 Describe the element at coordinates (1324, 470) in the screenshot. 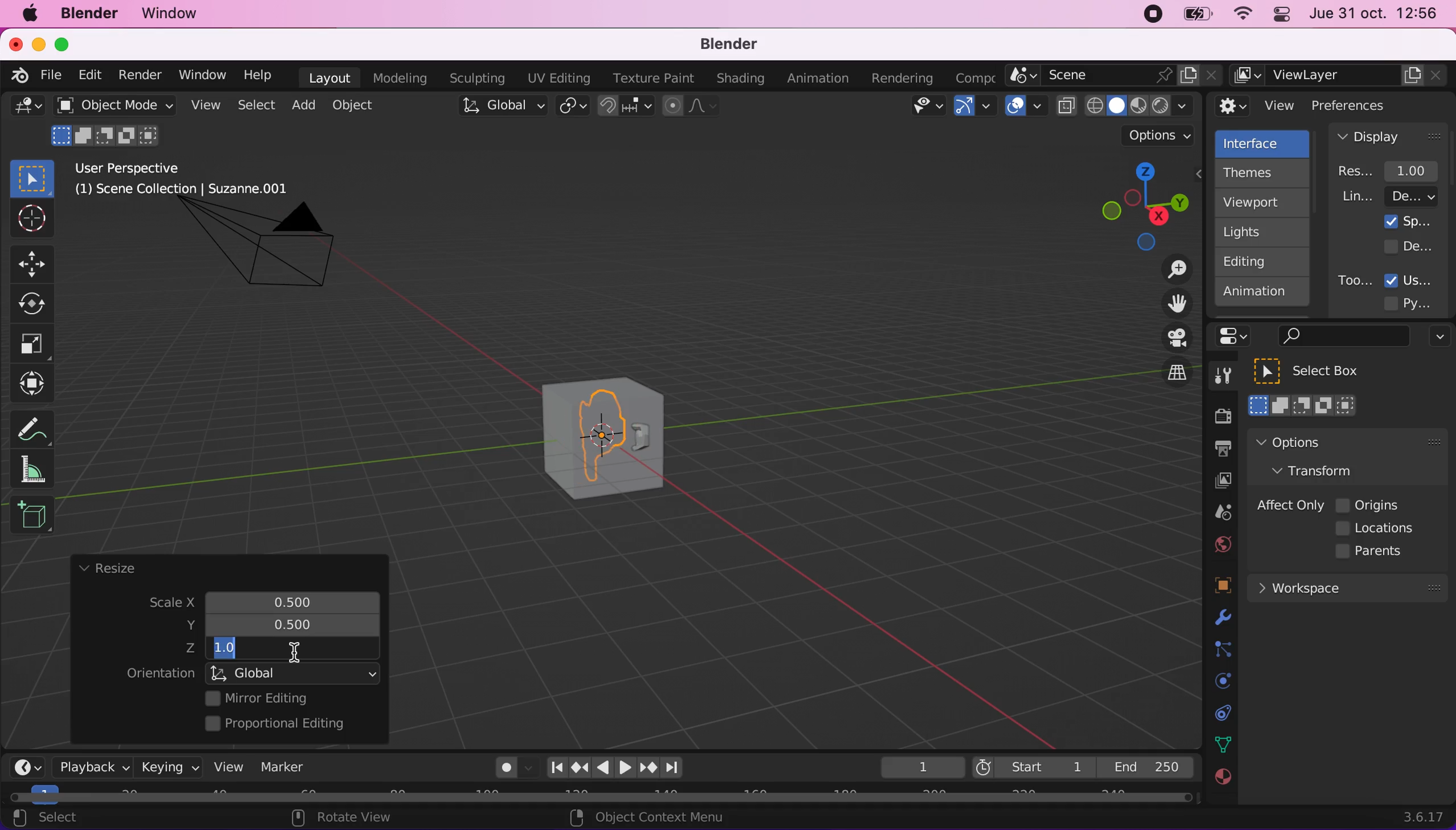

I see `transform` at that location.